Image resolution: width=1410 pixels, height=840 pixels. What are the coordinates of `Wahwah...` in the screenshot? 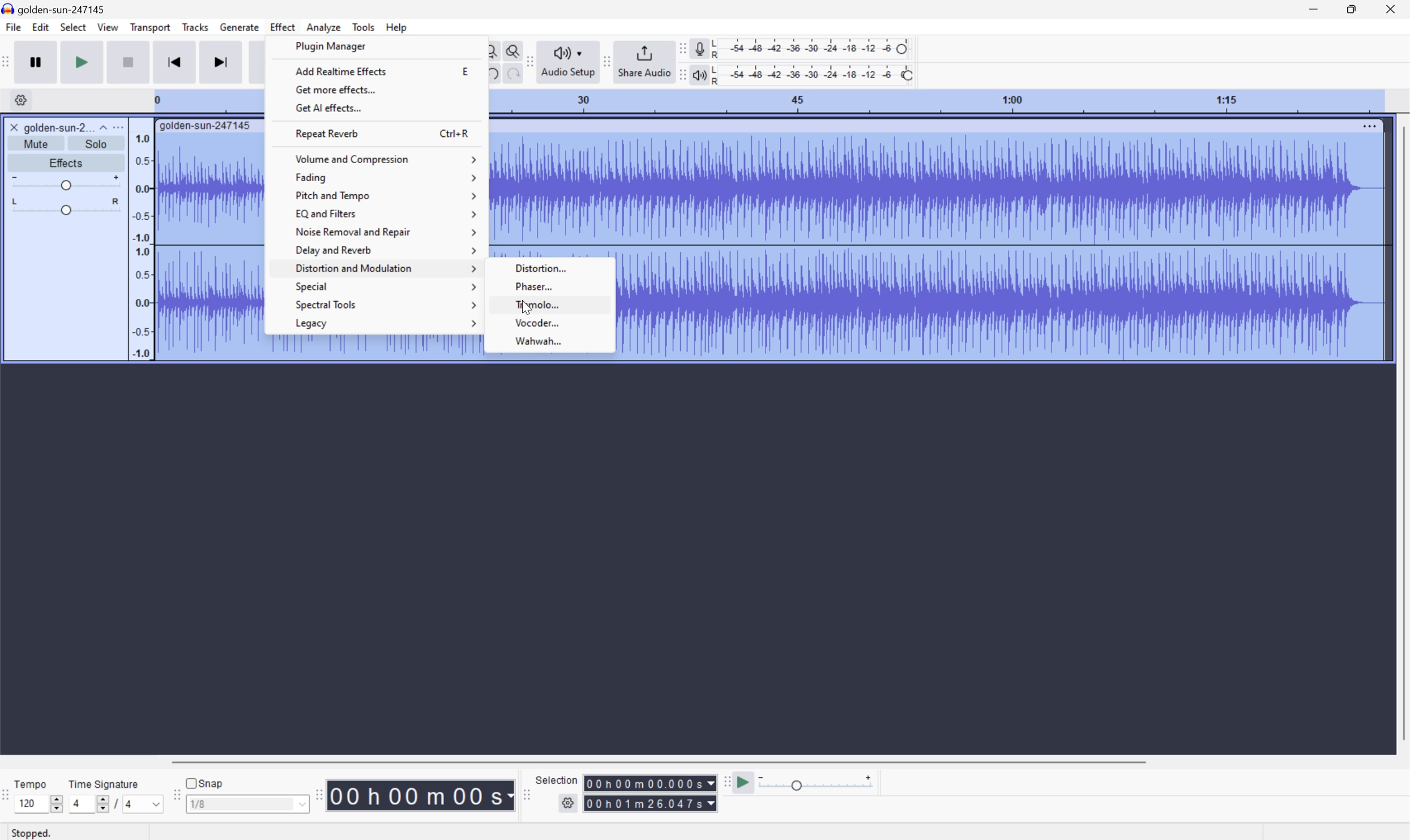 It's located at (552, 341).